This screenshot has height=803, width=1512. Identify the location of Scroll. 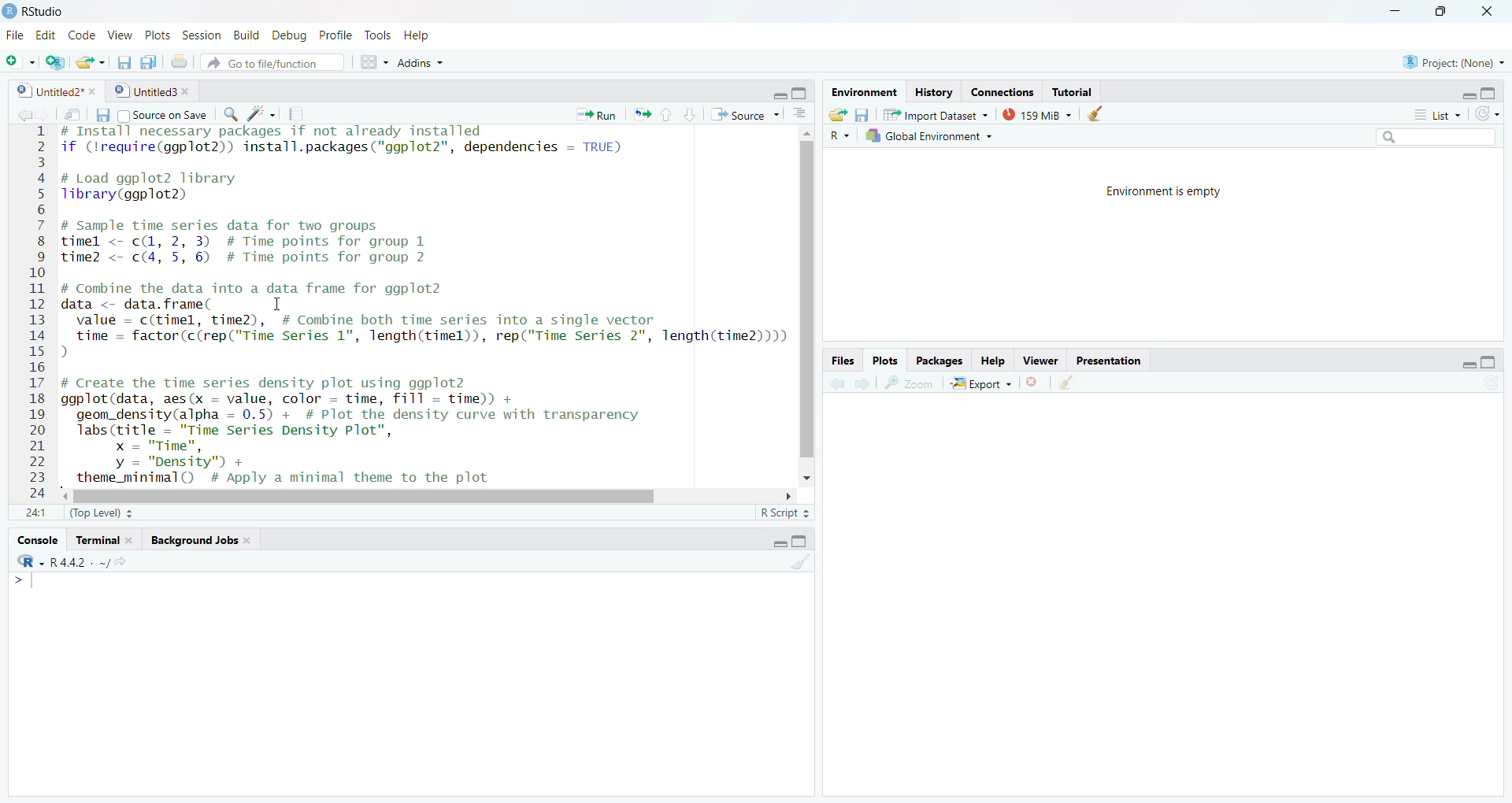
(804, 305).